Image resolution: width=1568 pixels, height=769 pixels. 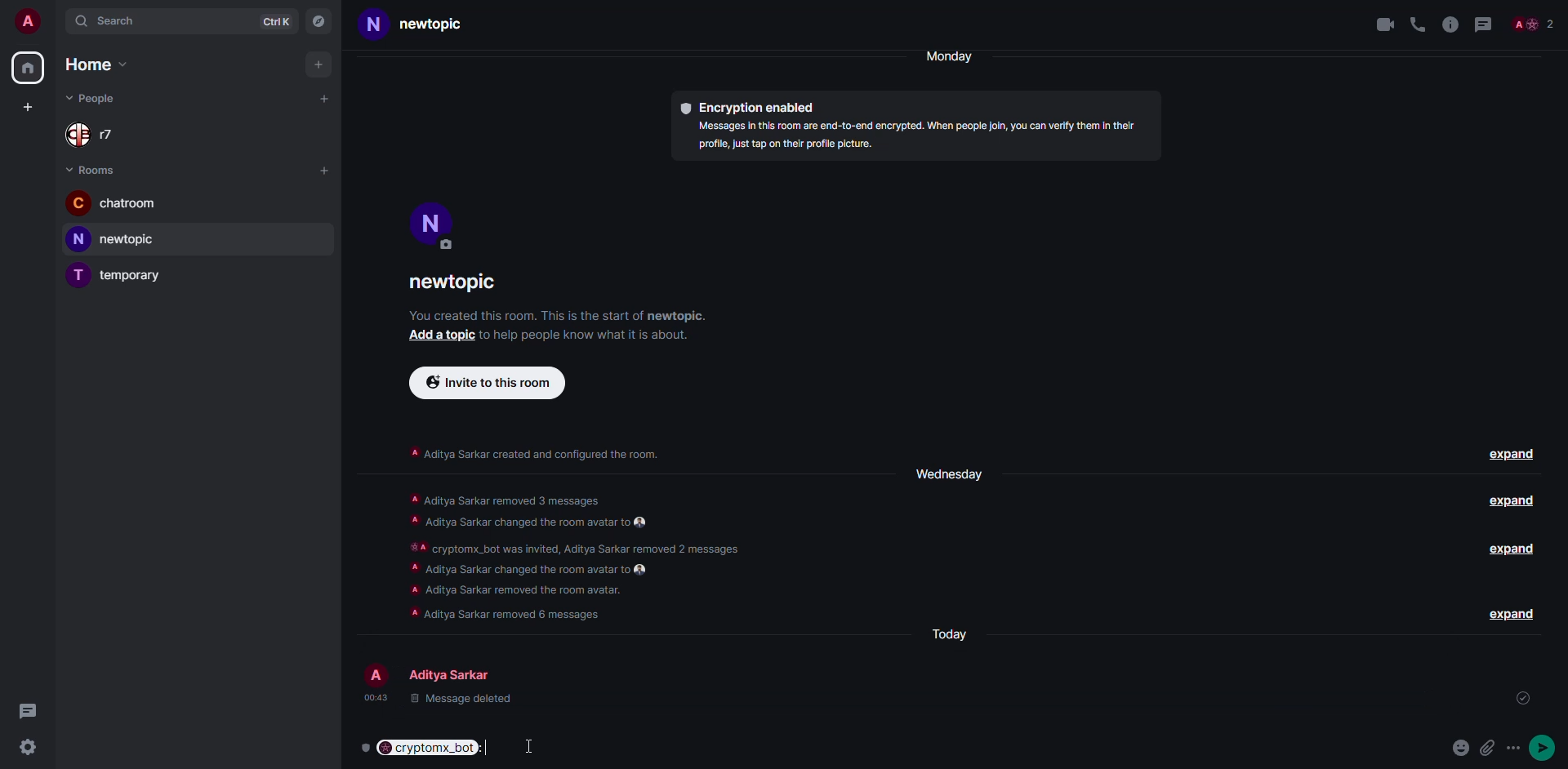 What do you see at coordinates (921, 137) in the screenshot?
I see `info` at bounding box center [921, 137].